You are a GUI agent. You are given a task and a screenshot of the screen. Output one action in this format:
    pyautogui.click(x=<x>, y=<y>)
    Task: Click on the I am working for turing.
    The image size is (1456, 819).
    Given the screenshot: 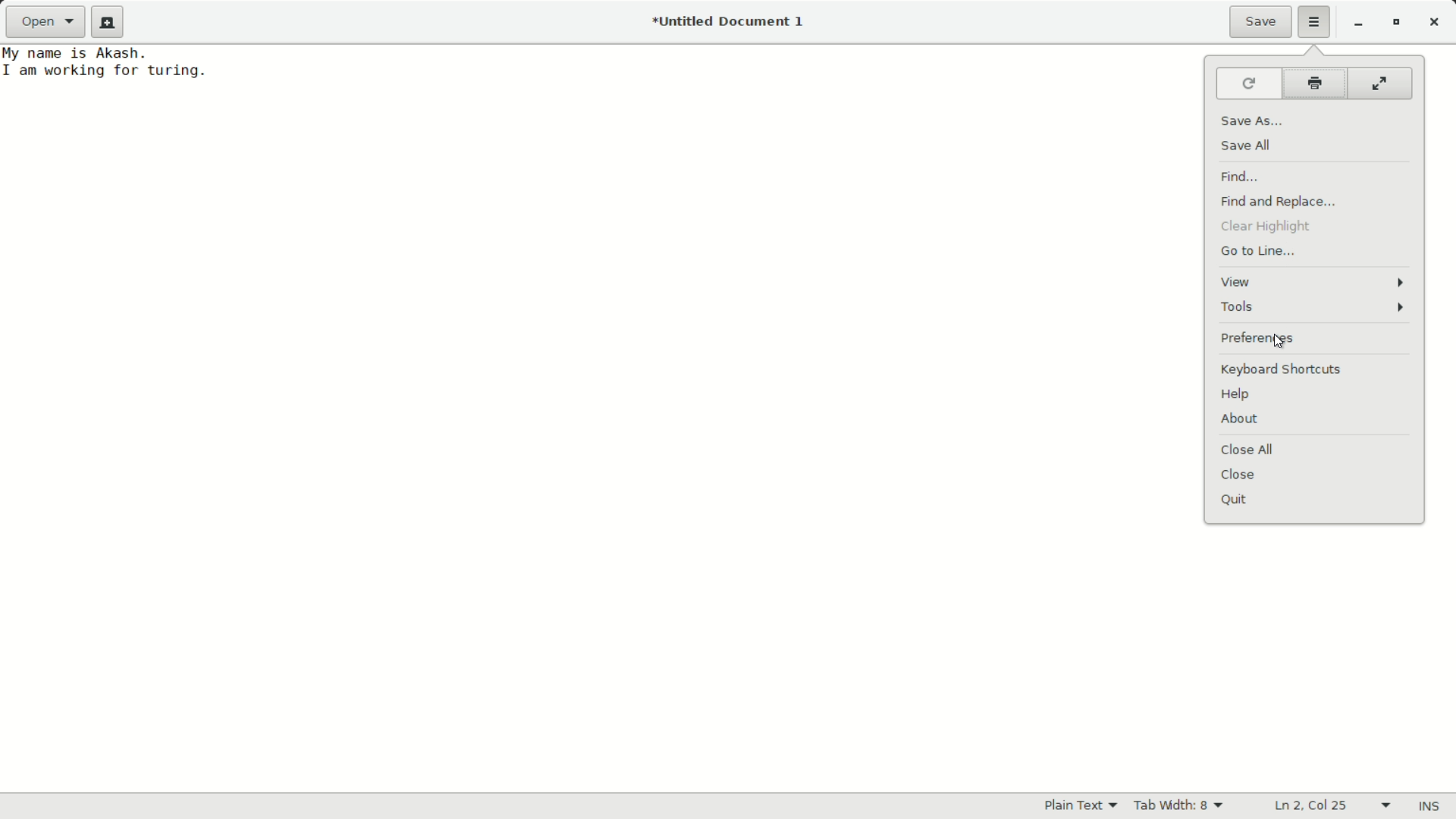 What is the action you would take?
    pyautogui.click(x=108, y=71)
    